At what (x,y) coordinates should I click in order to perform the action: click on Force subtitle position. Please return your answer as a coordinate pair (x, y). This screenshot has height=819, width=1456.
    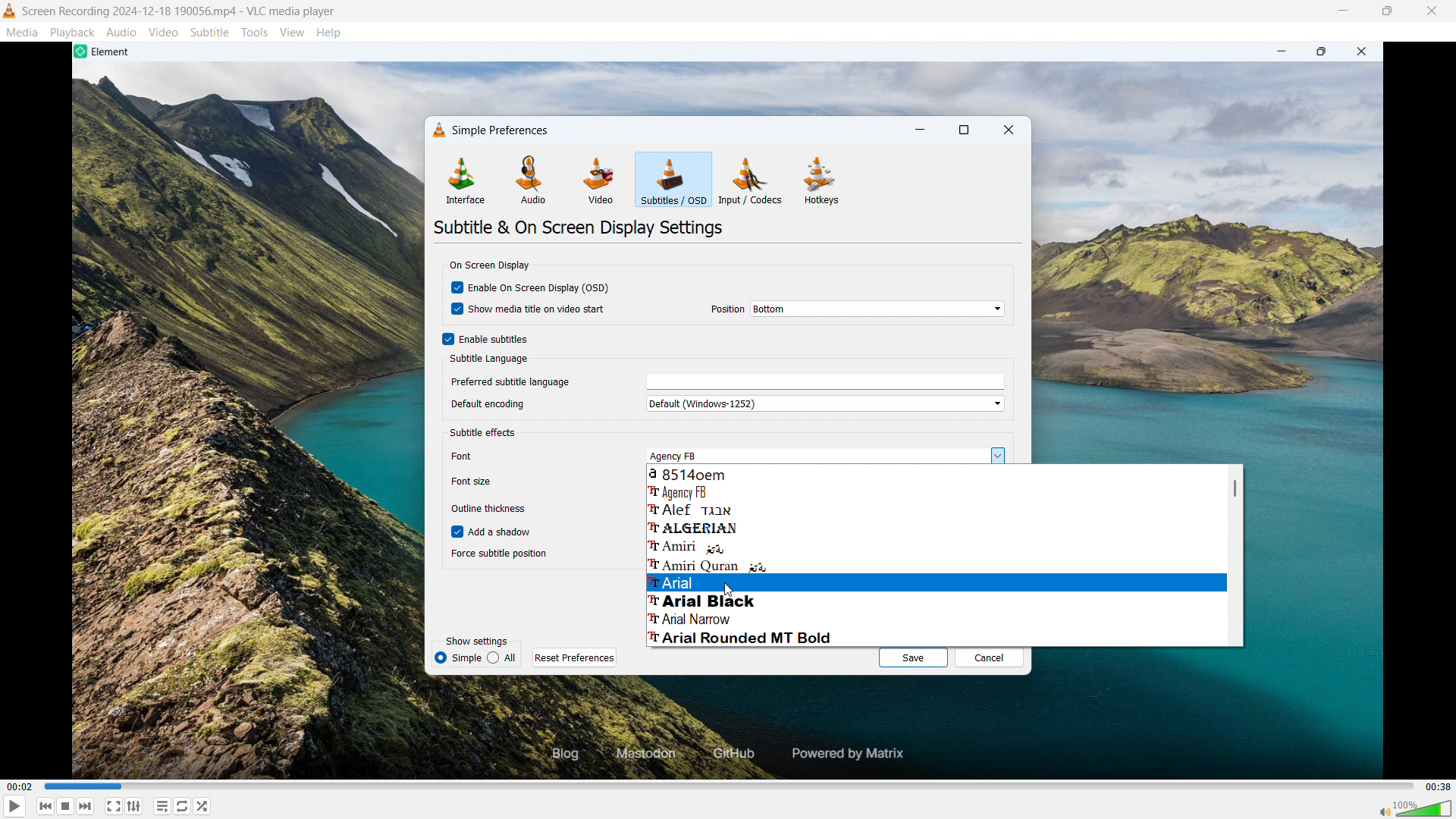
    Looking at the image, I should click on (500, 554).